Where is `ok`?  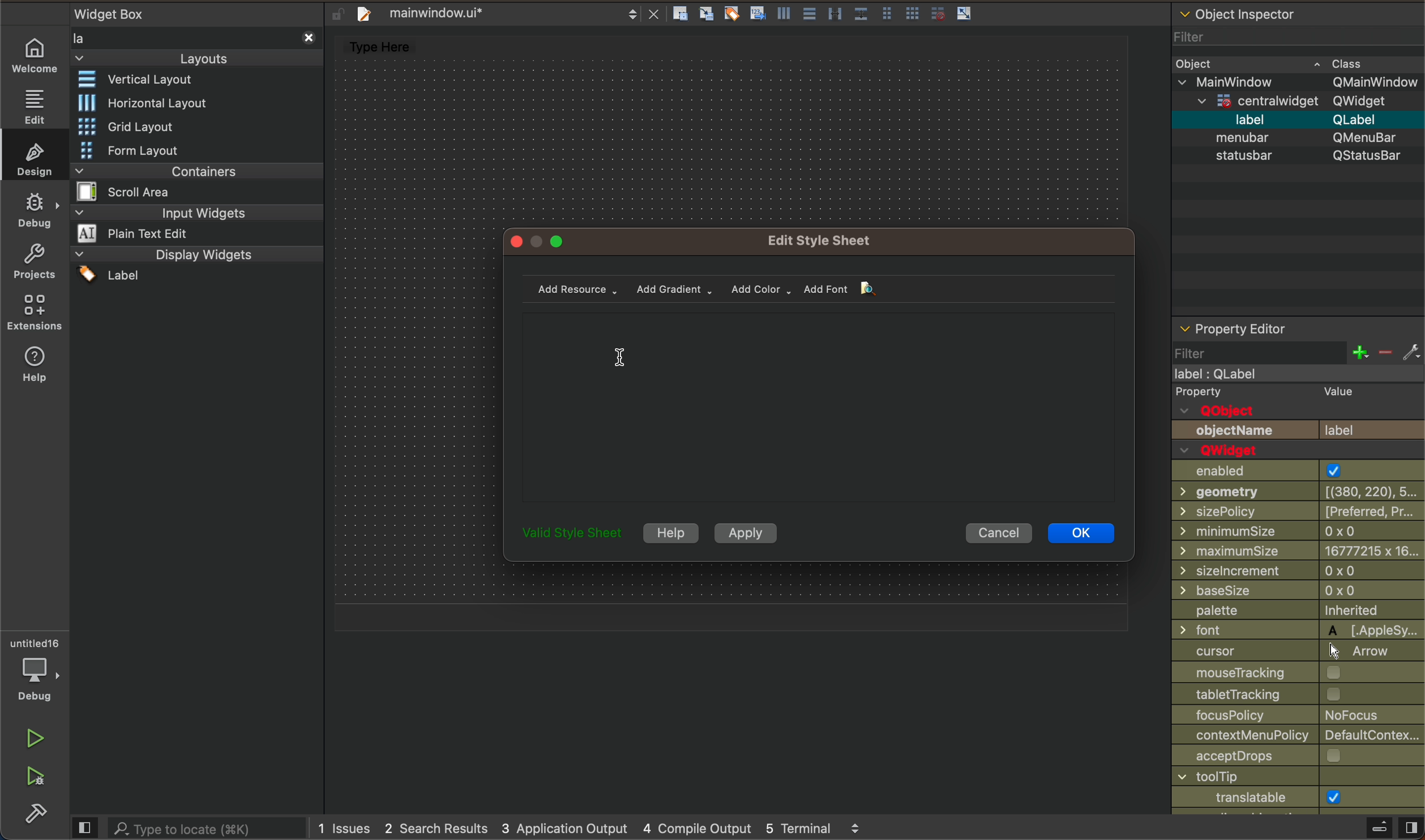 ok is located at coordinates (1080, 533).